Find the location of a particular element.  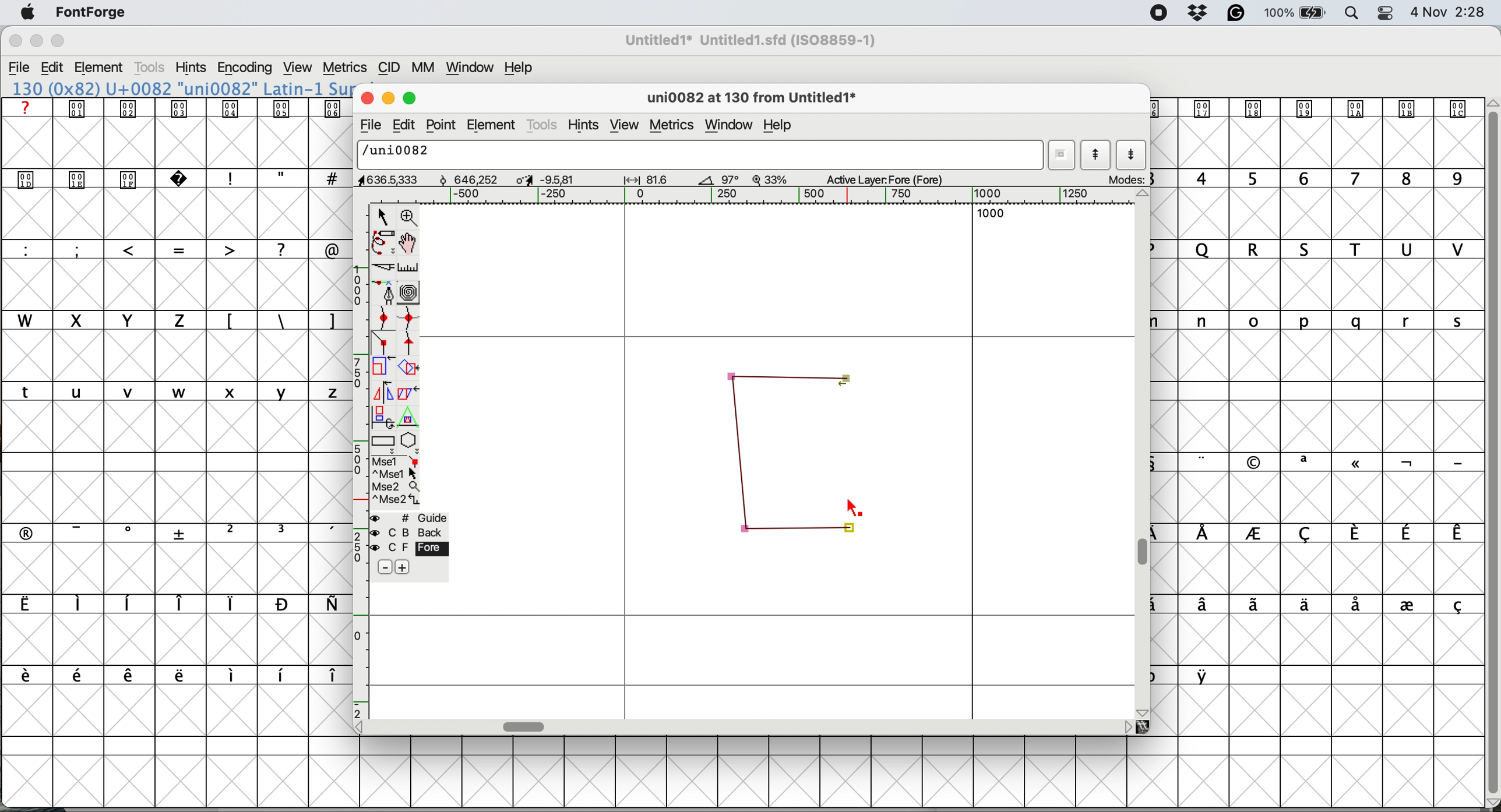

cursor is located at coordinates (859, 509).